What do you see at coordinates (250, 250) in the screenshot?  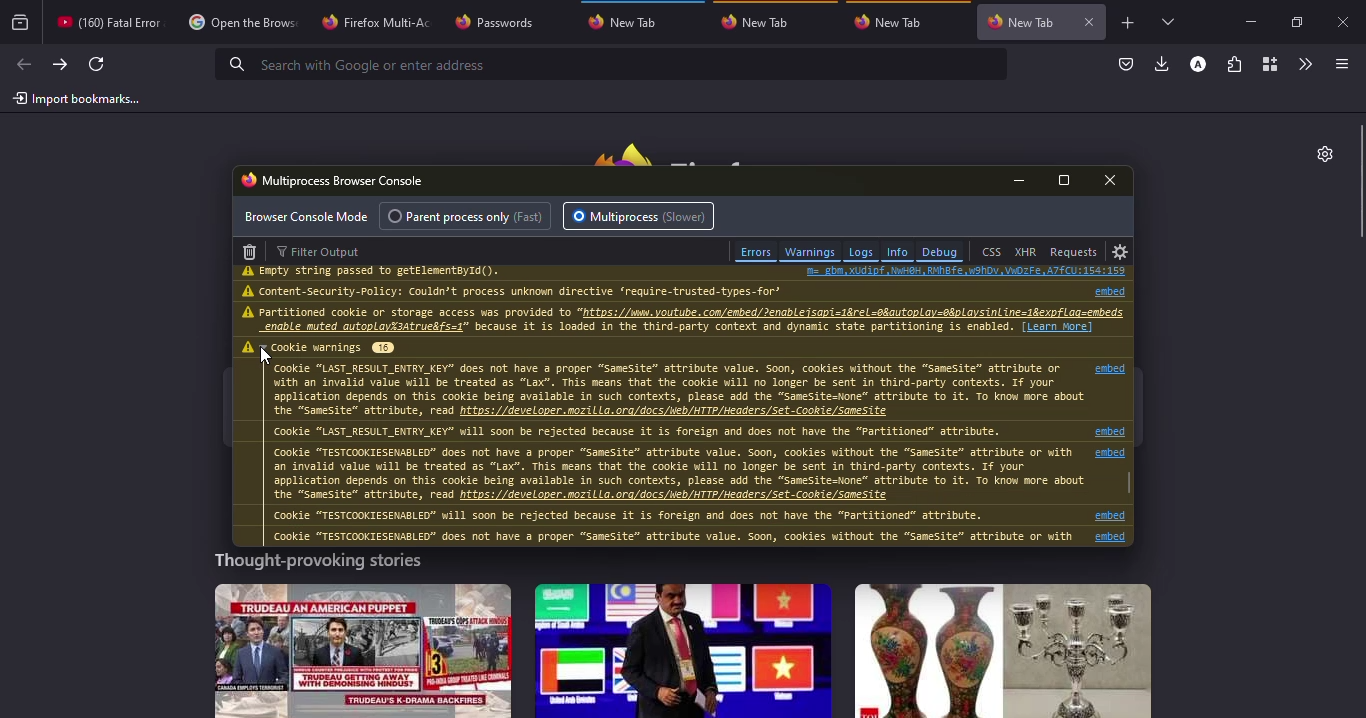 I see `bin` at bounding box center [250, 250].